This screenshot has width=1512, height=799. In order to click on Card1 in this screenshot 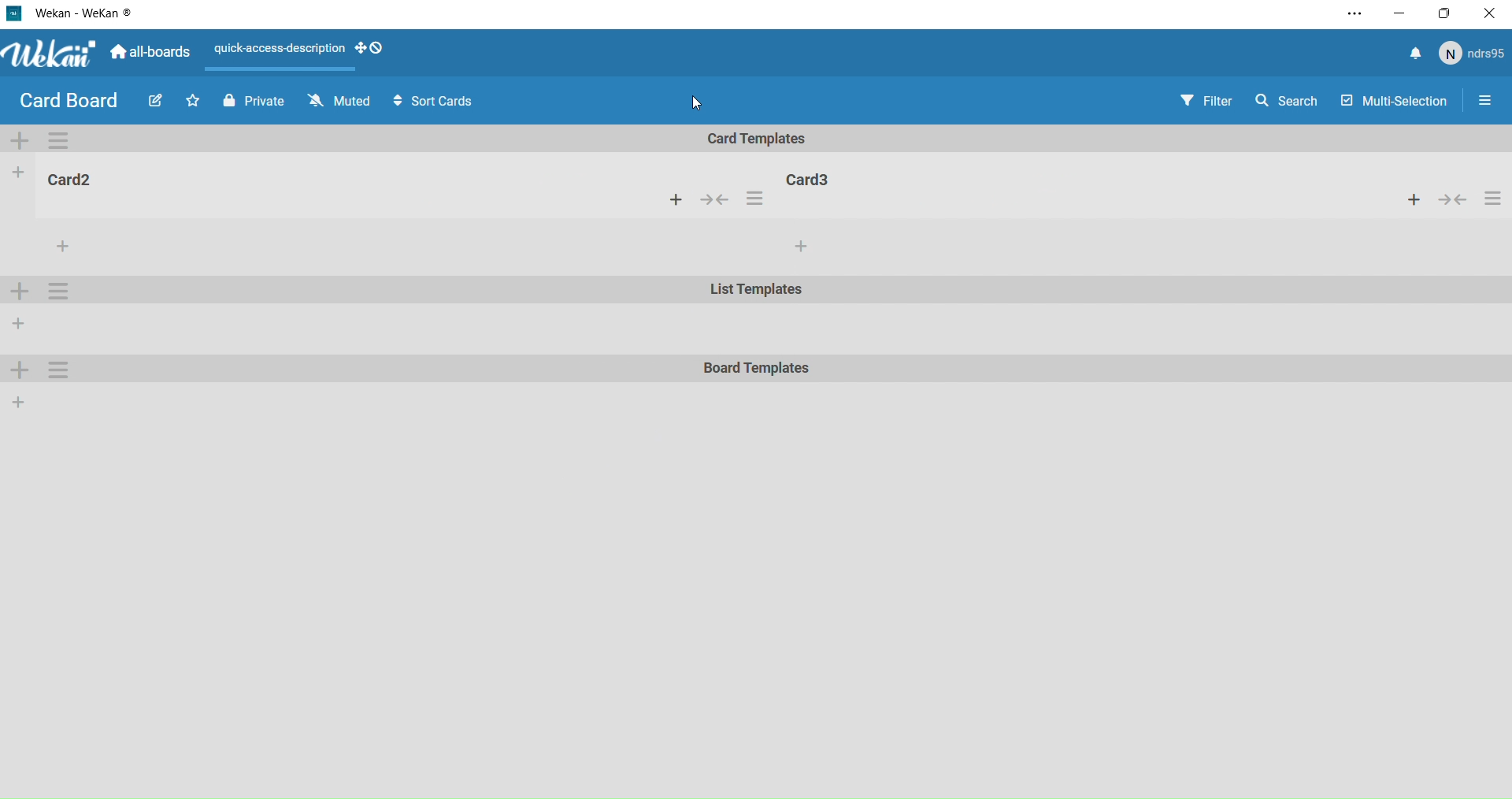, I will do `click(71, 180)`.